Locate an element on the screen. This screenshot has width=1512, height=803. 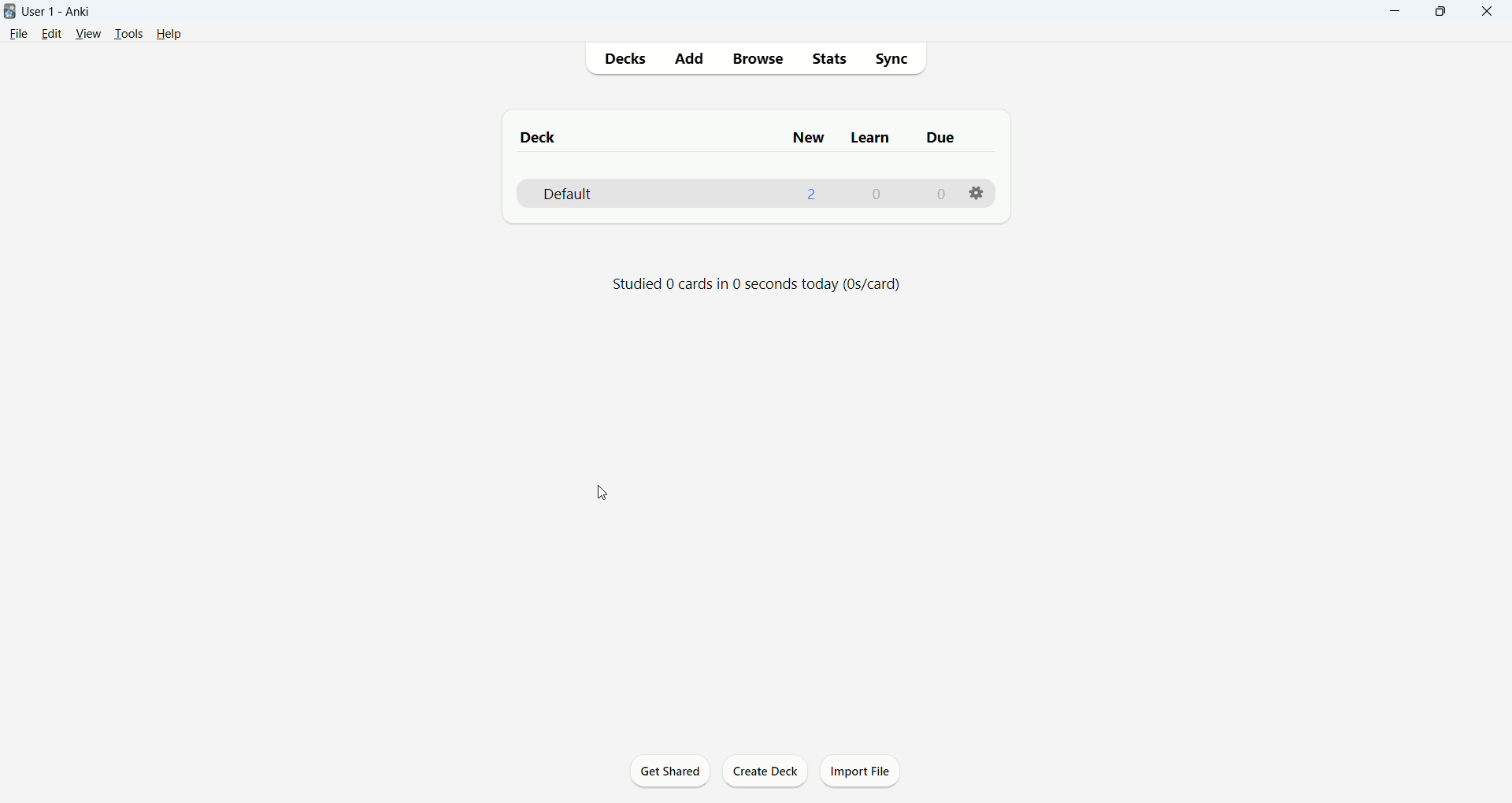
file is located at coordinates (17, 35).